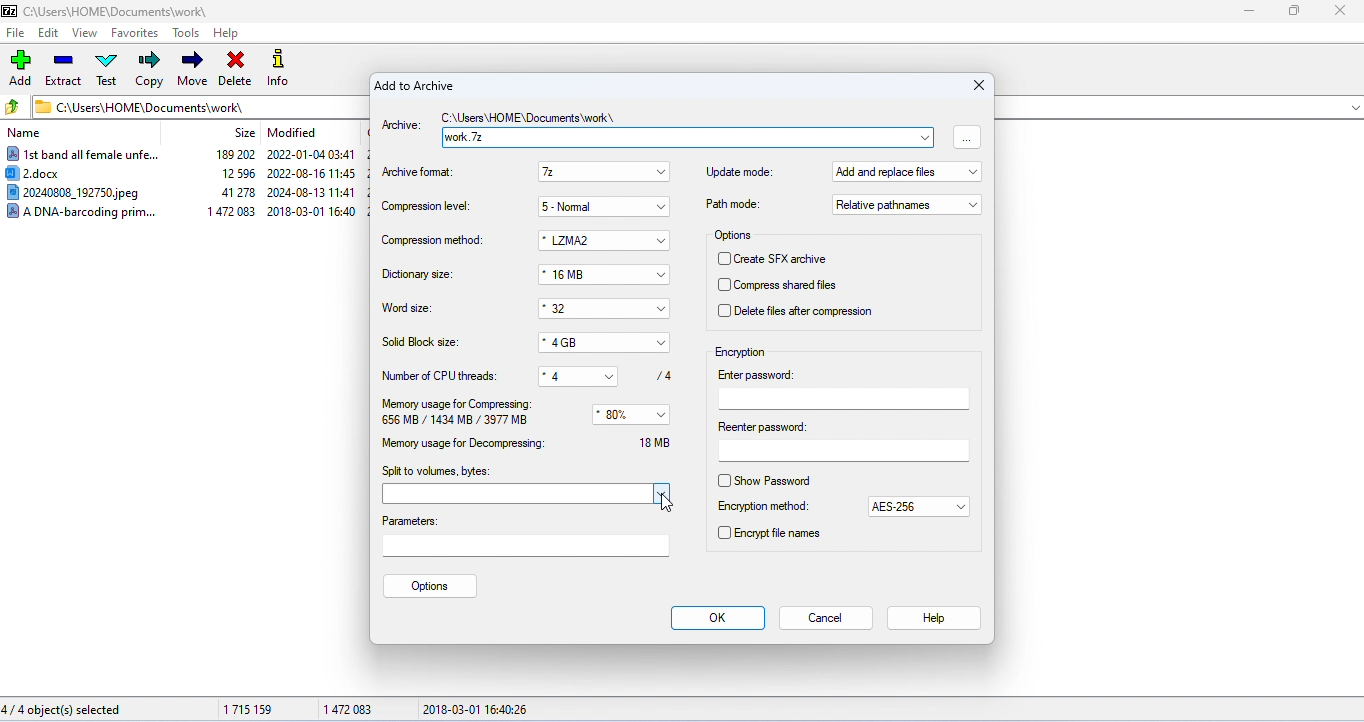 This screenshot has height=722, width=1364. Describe the element at coordinates (63, 69) in the screenshot. I see `extract` at that location.